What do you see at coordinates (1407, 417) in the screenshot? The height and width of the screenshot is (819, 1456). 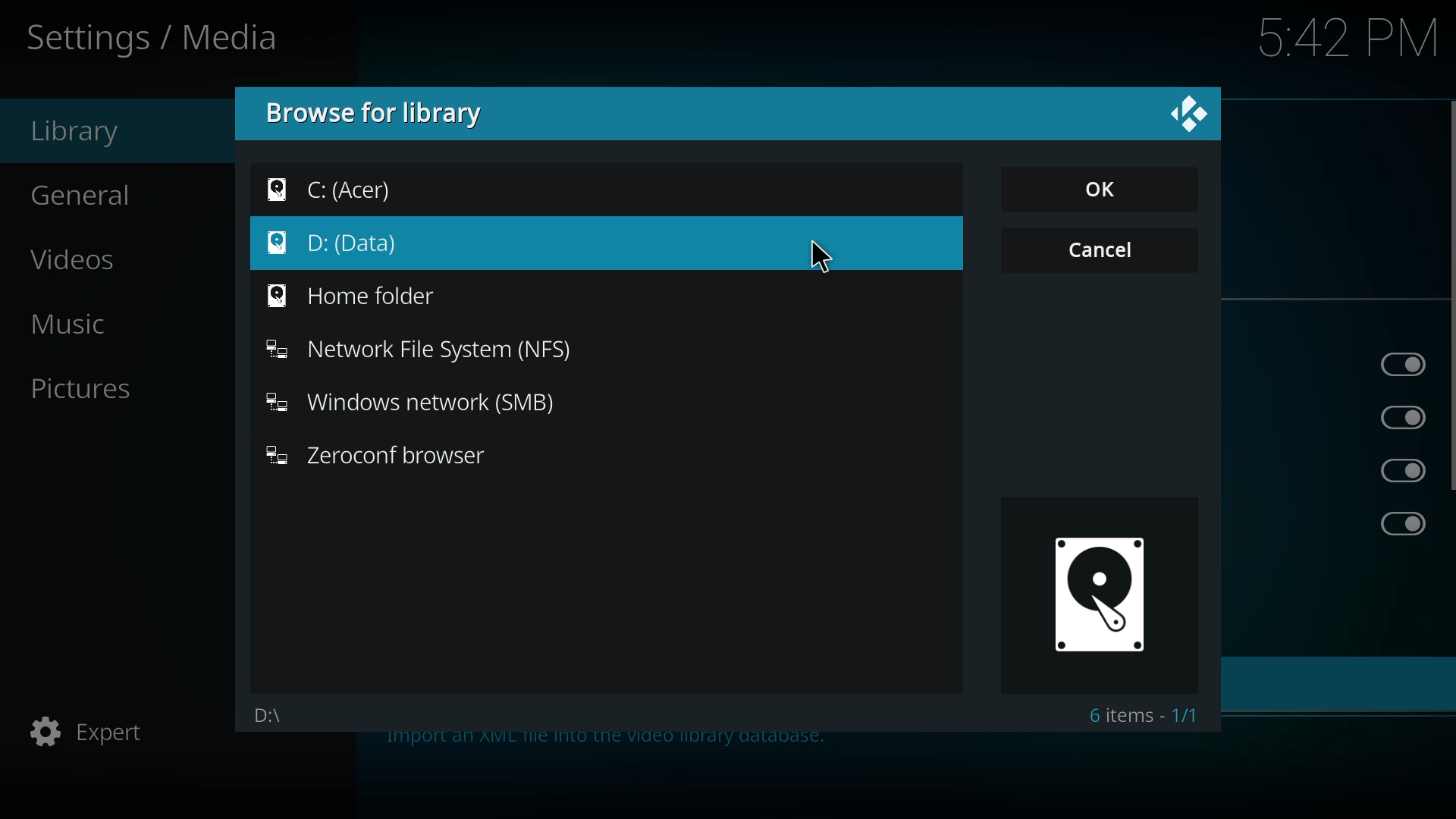 I see `enabled` at bounding box center [1407, 417].